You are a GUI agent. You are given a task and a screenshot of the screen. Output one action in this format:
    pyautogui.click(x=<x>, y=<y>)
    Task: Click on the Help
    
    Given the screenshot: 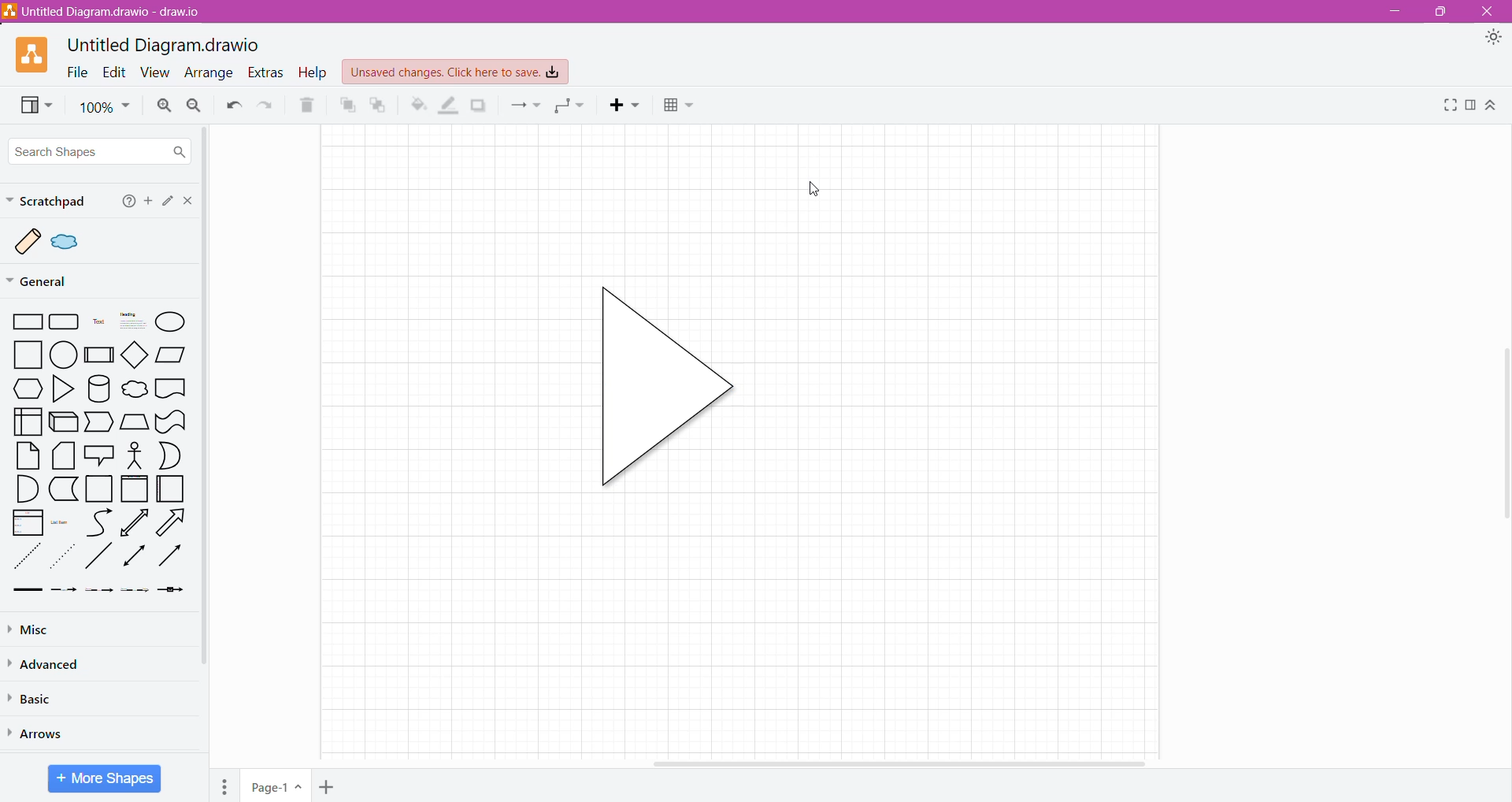 What is the action you would take?
    pyautogui.click(x=126, y=202)
    